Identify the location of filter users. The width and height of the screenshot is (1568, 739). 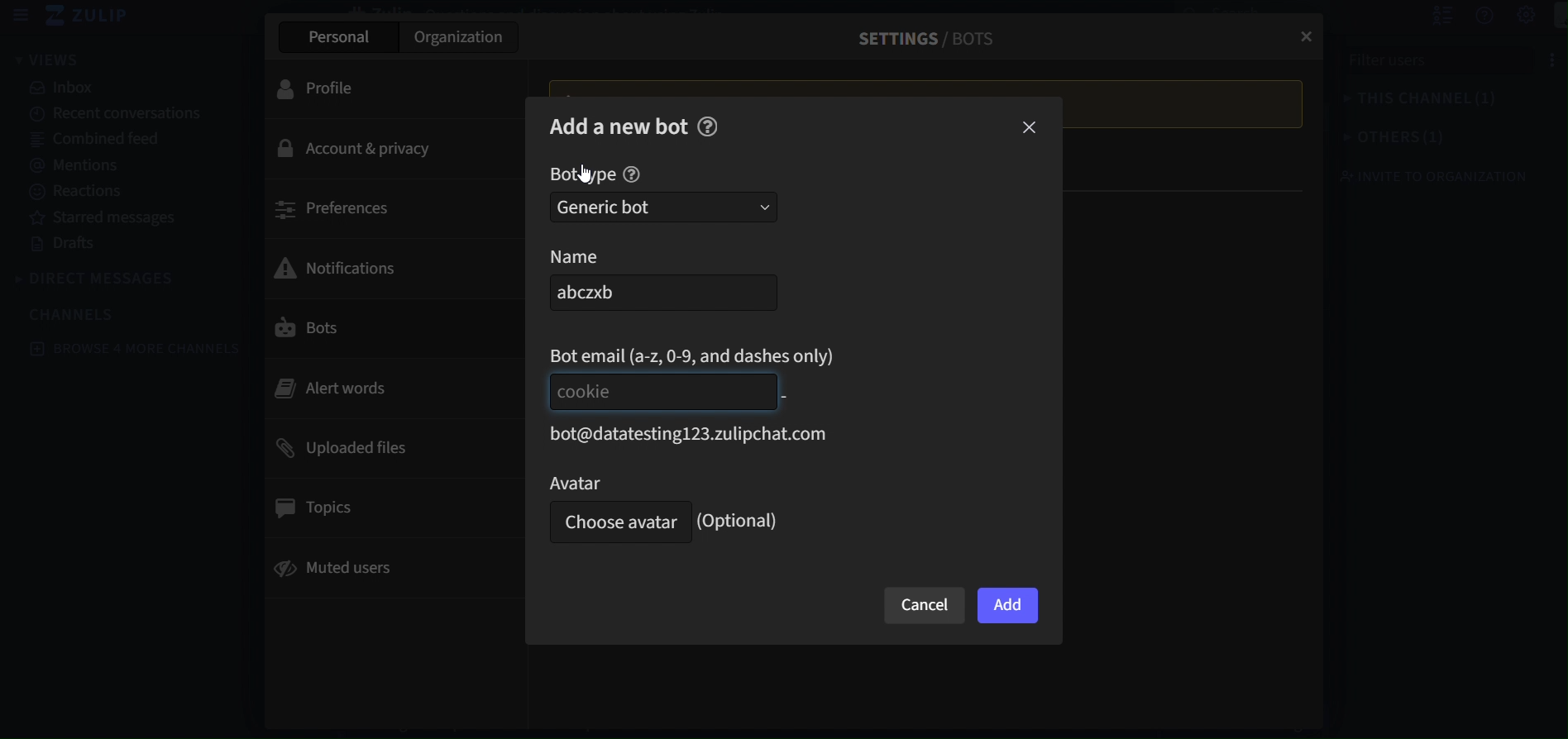
(1432, 65).